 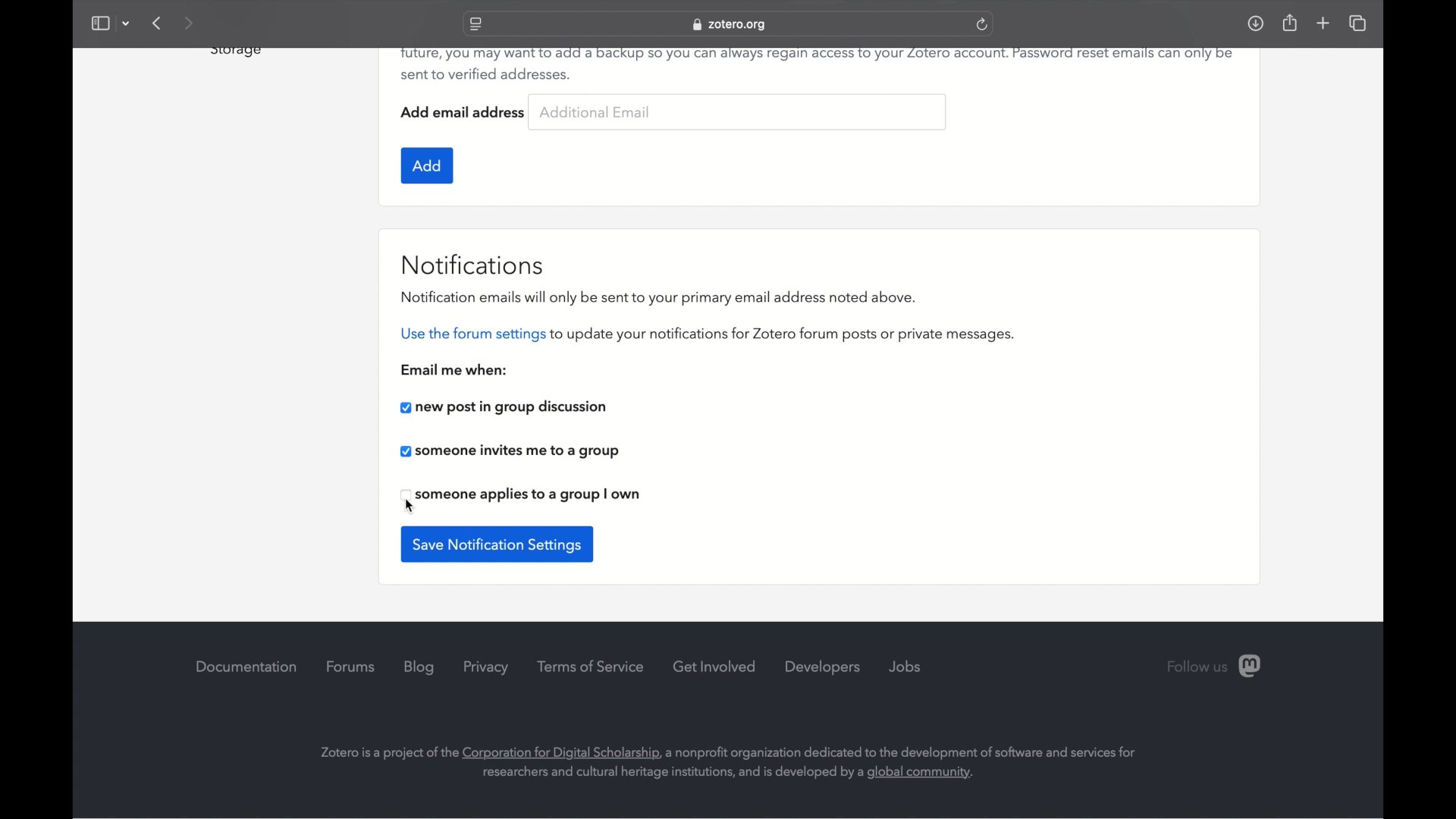 I want to click on new tab, so click(x=1323, y=24).